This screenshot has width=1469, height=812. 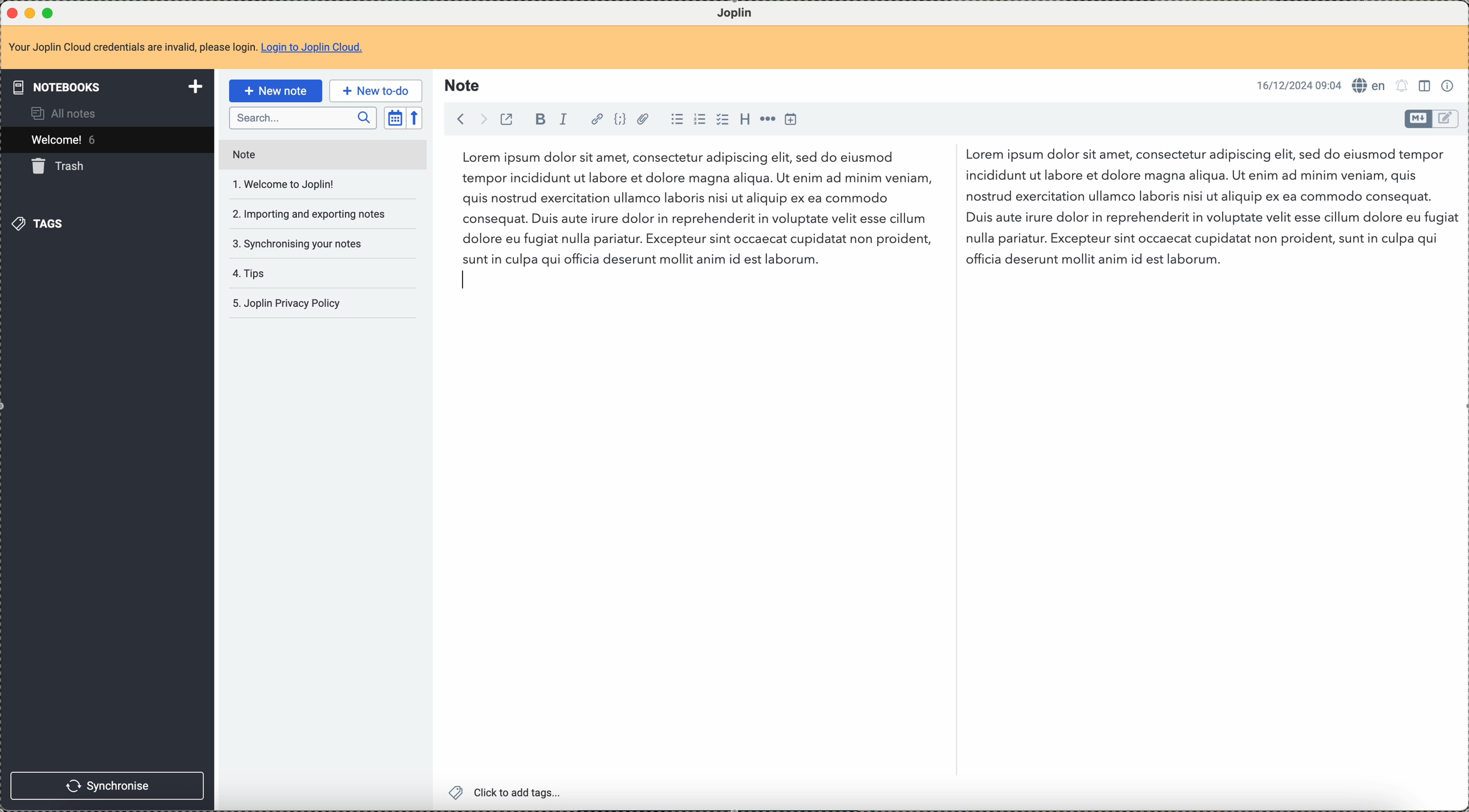 What do you see at coordinates (1450, 88) in the screenshot?
I see `note properties` at bounding box center [1450, 88].